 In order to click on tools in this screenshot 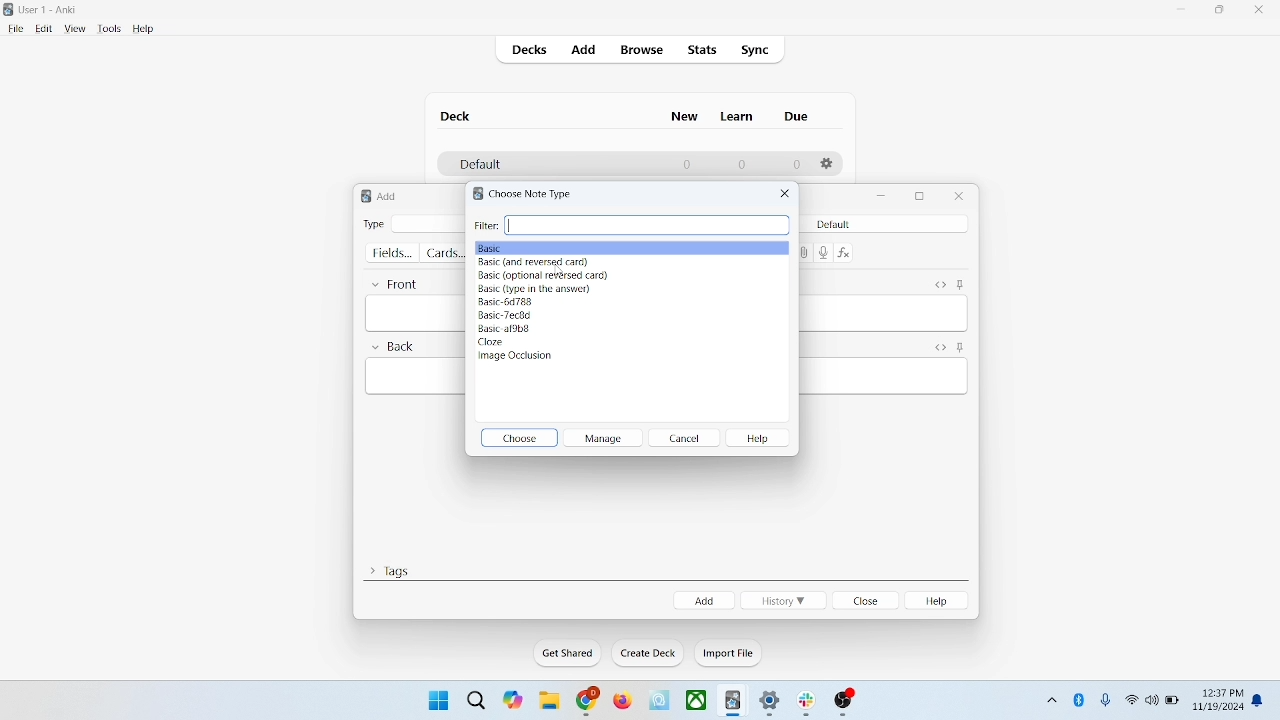, I will do `click(108, 29)`.